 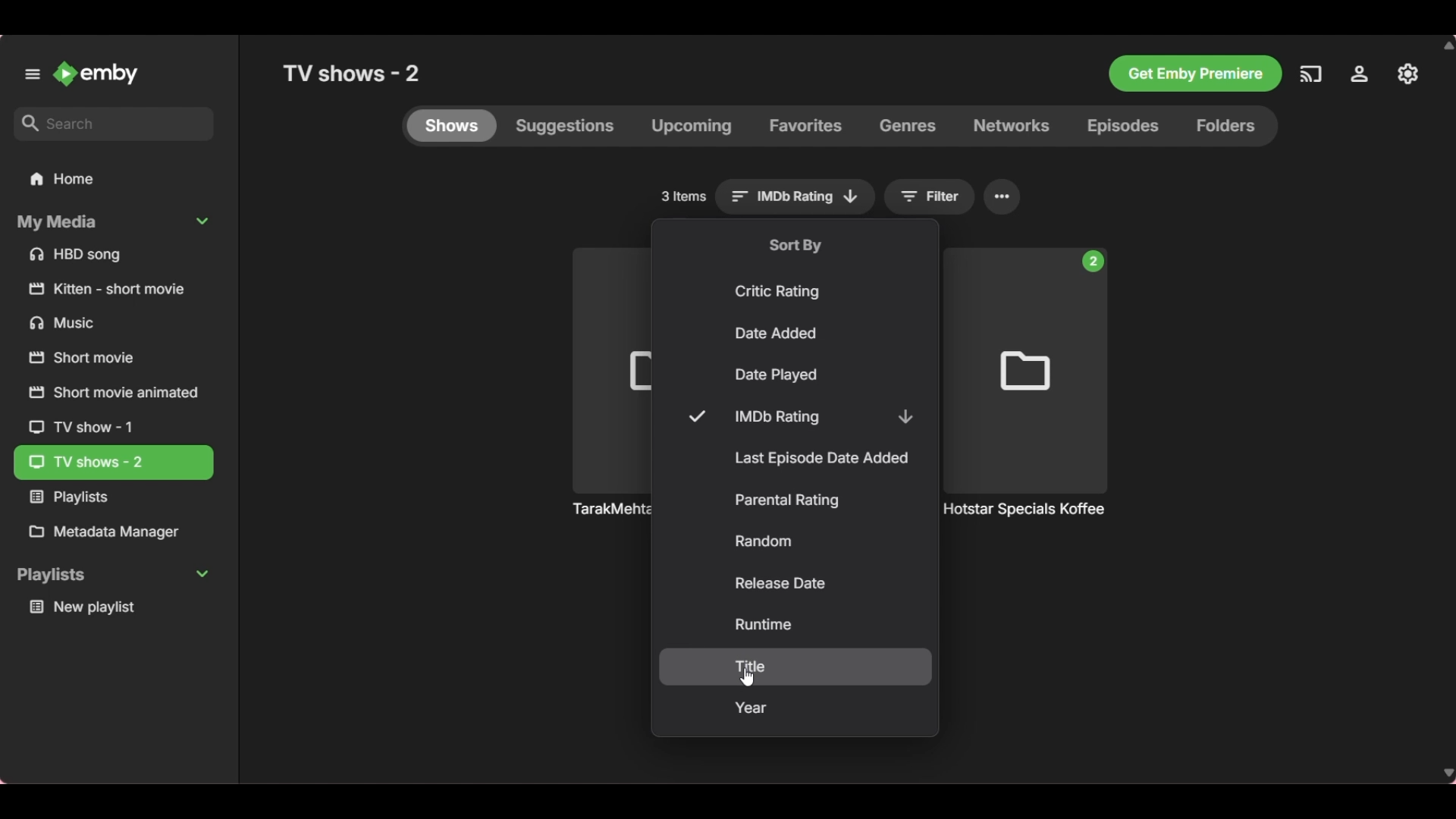 I want to click on Episodes, so click(x=1122, y=127).